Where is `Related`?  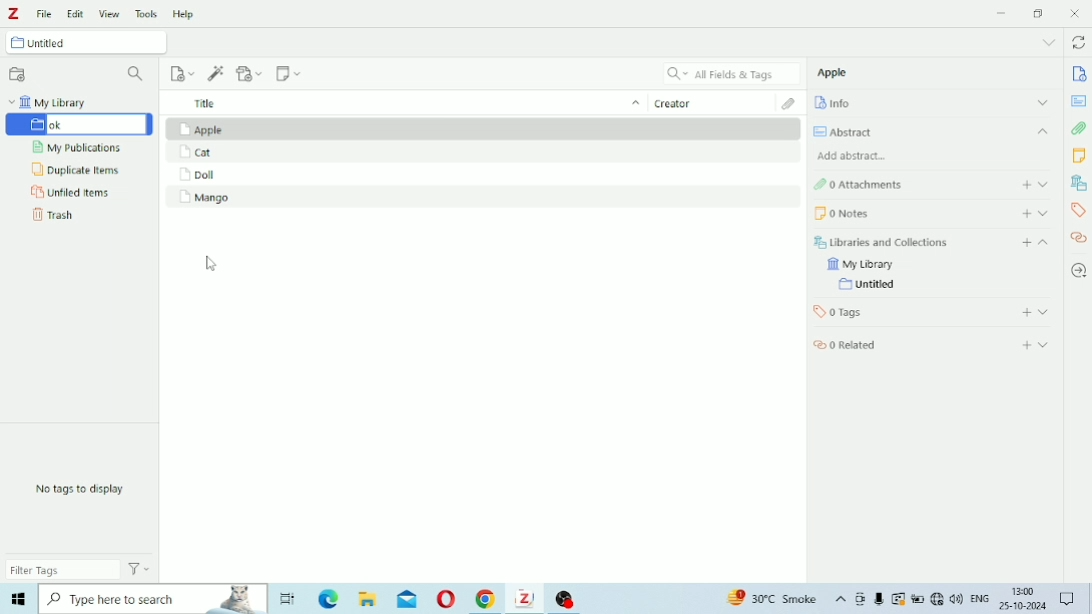
Related is located at coordinates (1079, 236).